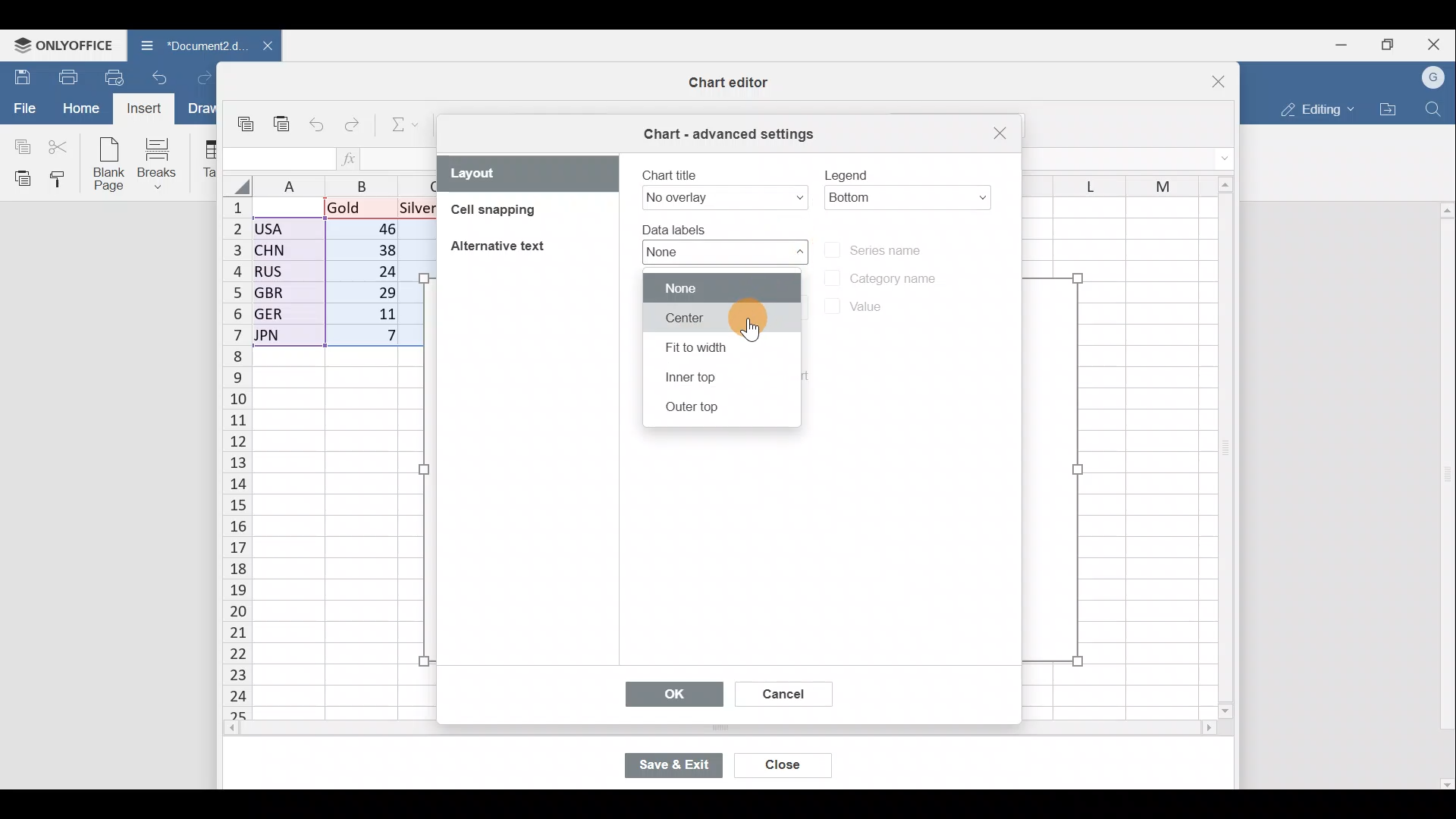 The image size is (1456, 819). I want to click on Save & exit, so click(682, 767).